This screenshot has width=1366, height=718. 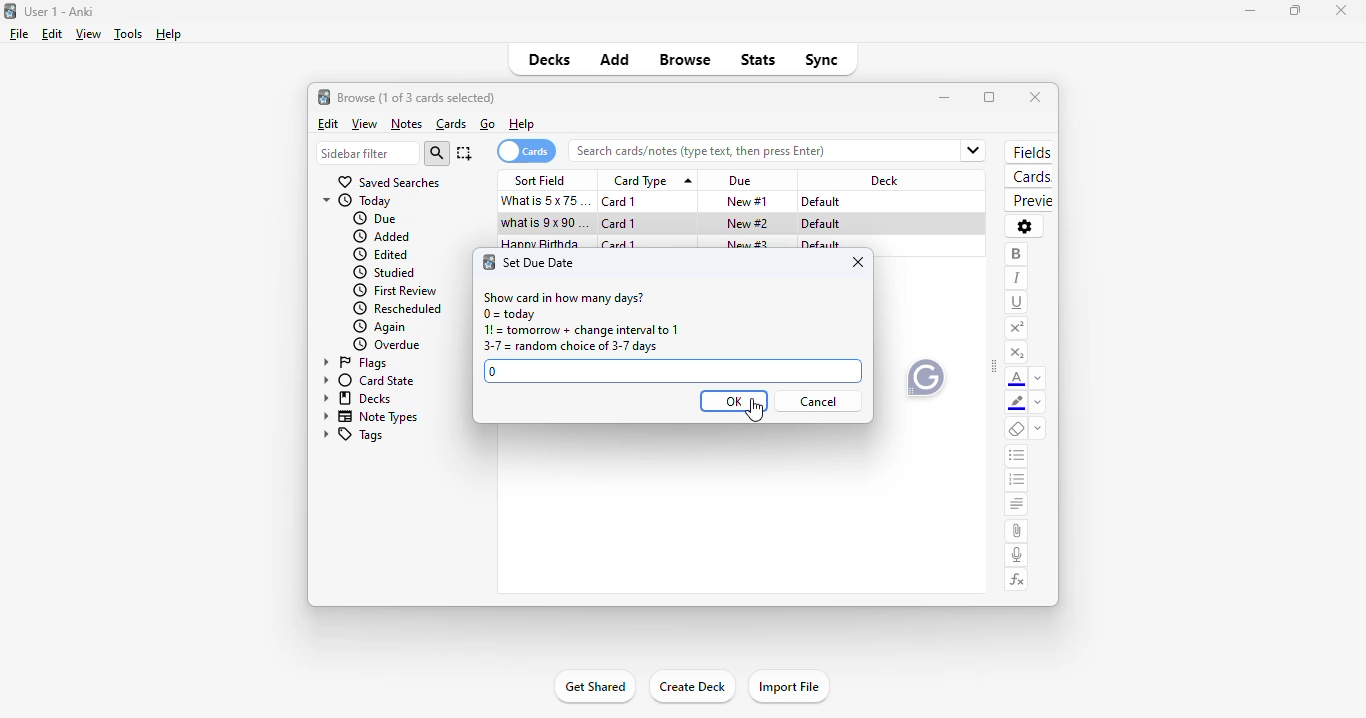 What do you see at coordinates (522, 125) in the screenshot?
I see `help` at bounding box center [522, 125].